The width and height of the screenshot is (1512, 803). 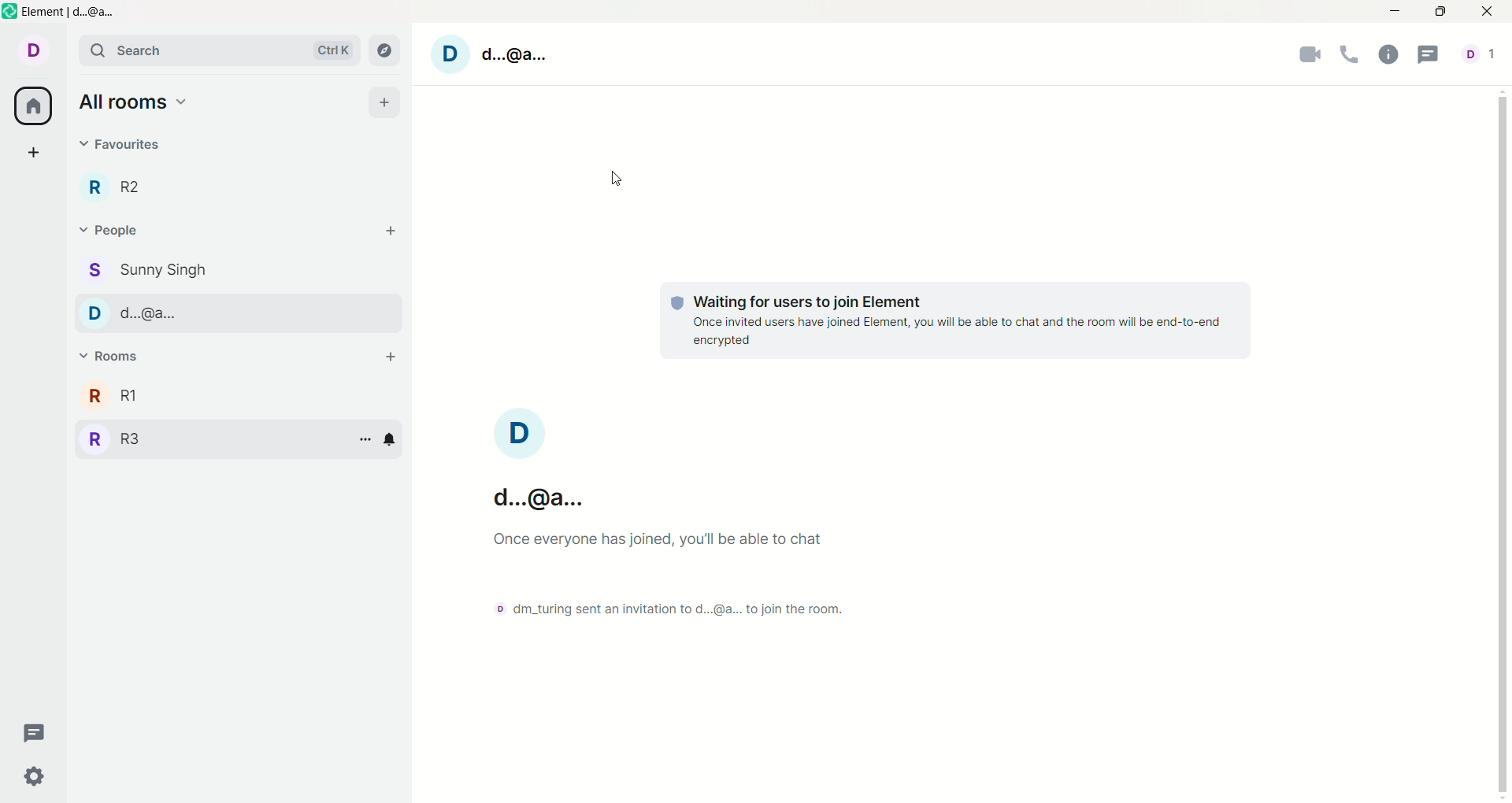 What do you see at coordinates (34, 779) in the screenshot?
I see `settings` at bounding box center [34, 779].